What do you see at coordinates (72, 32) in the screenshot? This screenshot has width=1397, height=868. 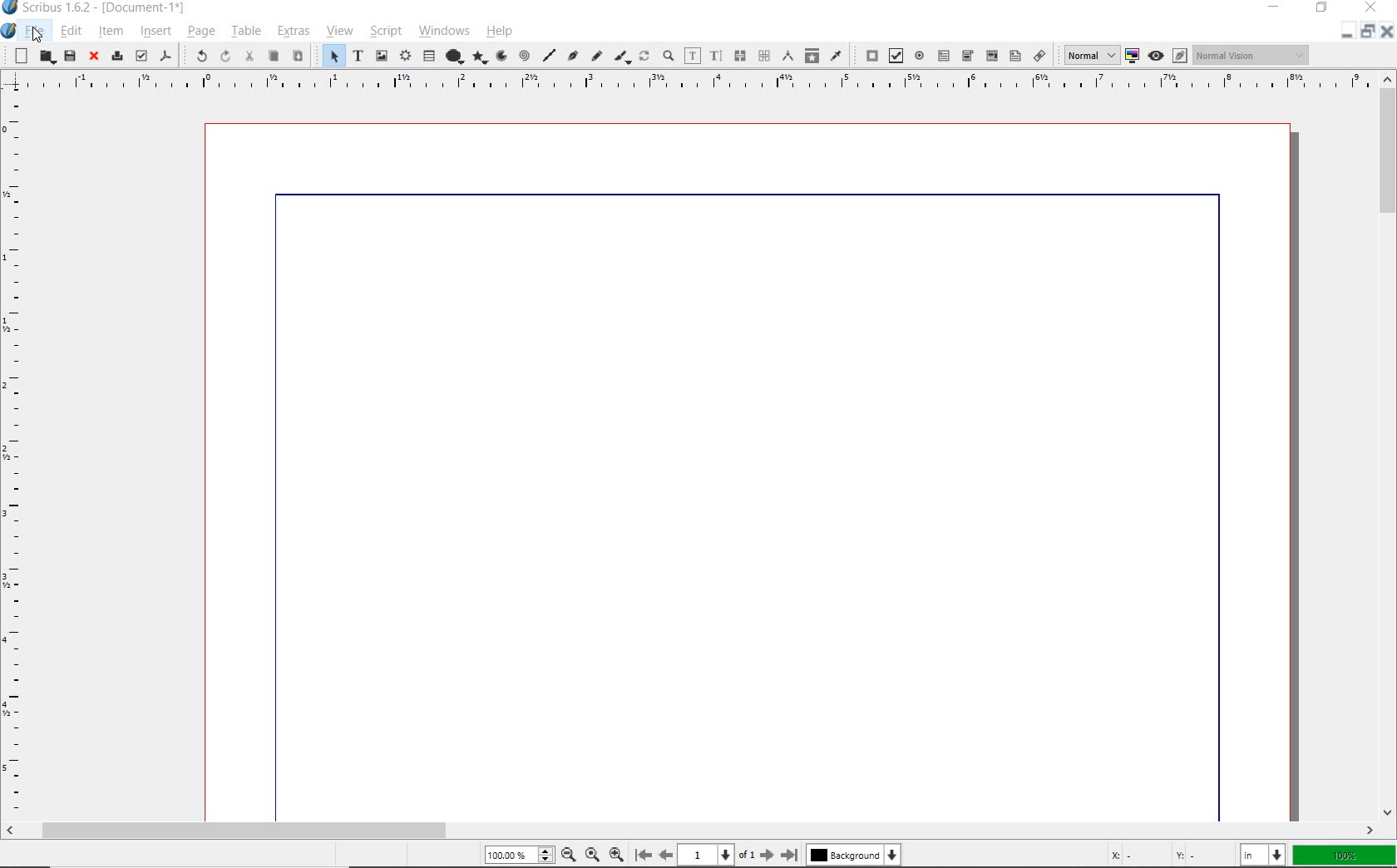 I see `edit` at bounding box center [72, 32].